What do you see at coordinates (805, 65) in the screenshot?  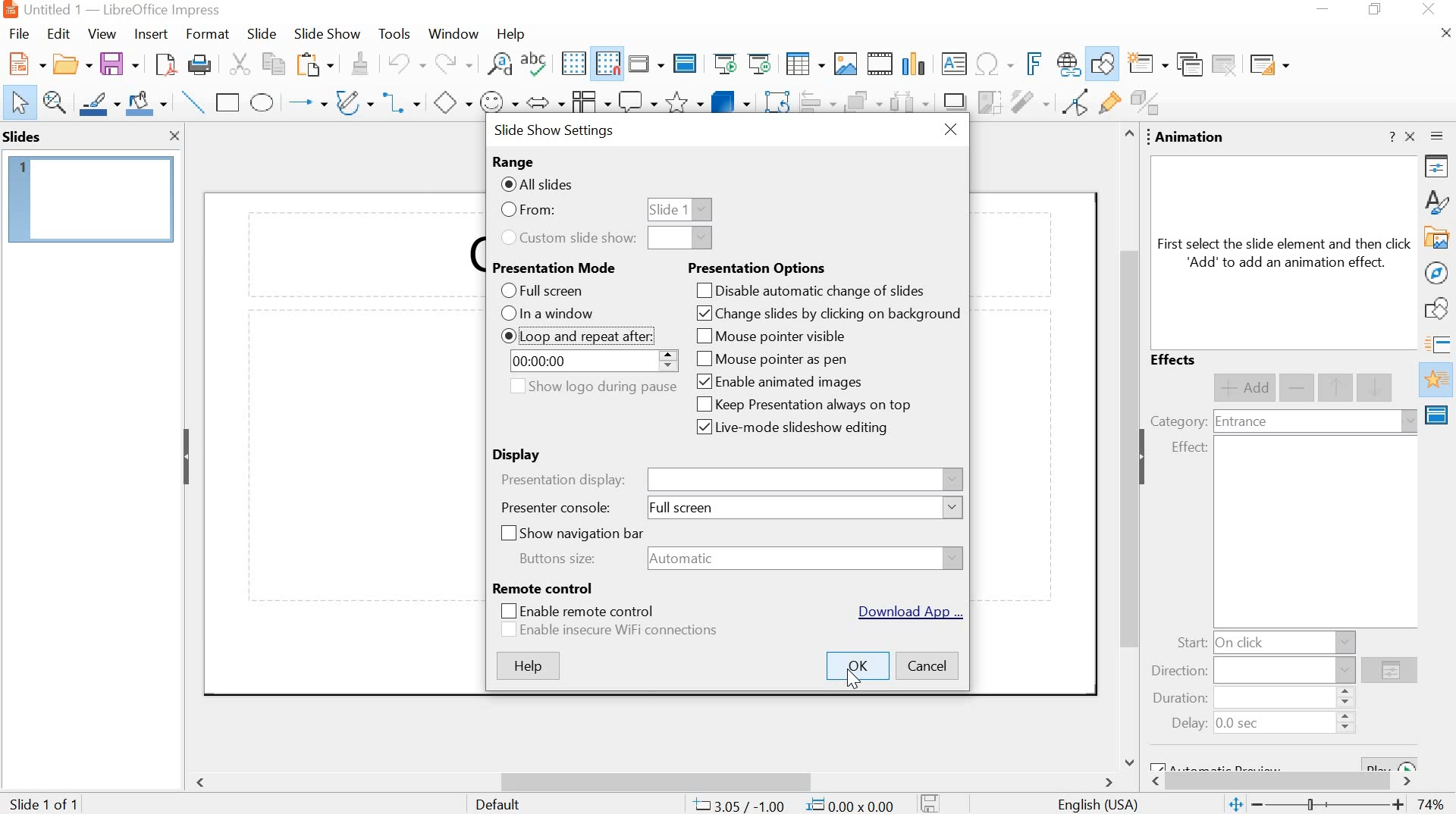 I see `insert table` at bounding box center [805, 65].